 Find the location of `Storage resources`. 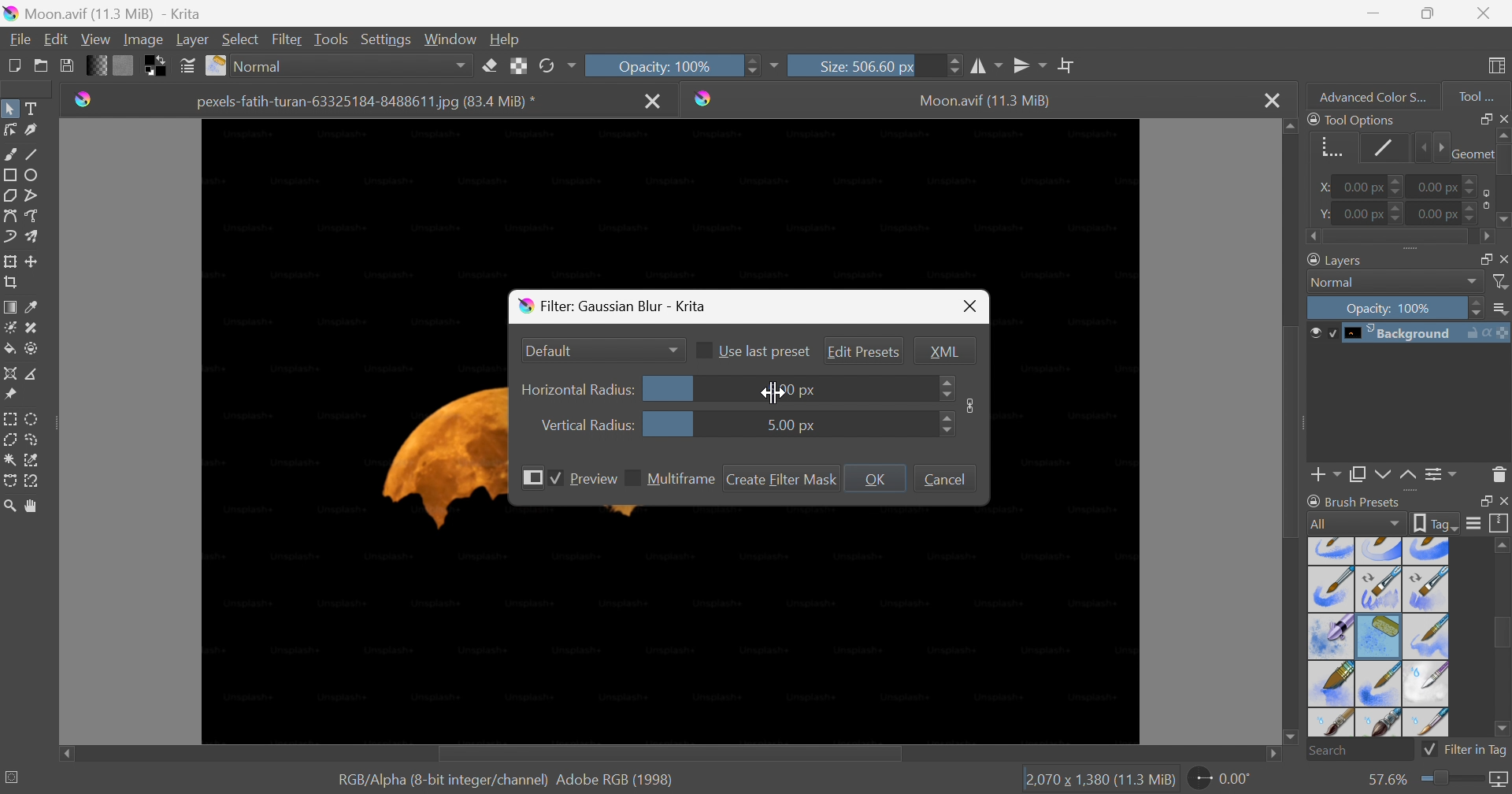

Storage resources is located at coordinates (1501, 523).